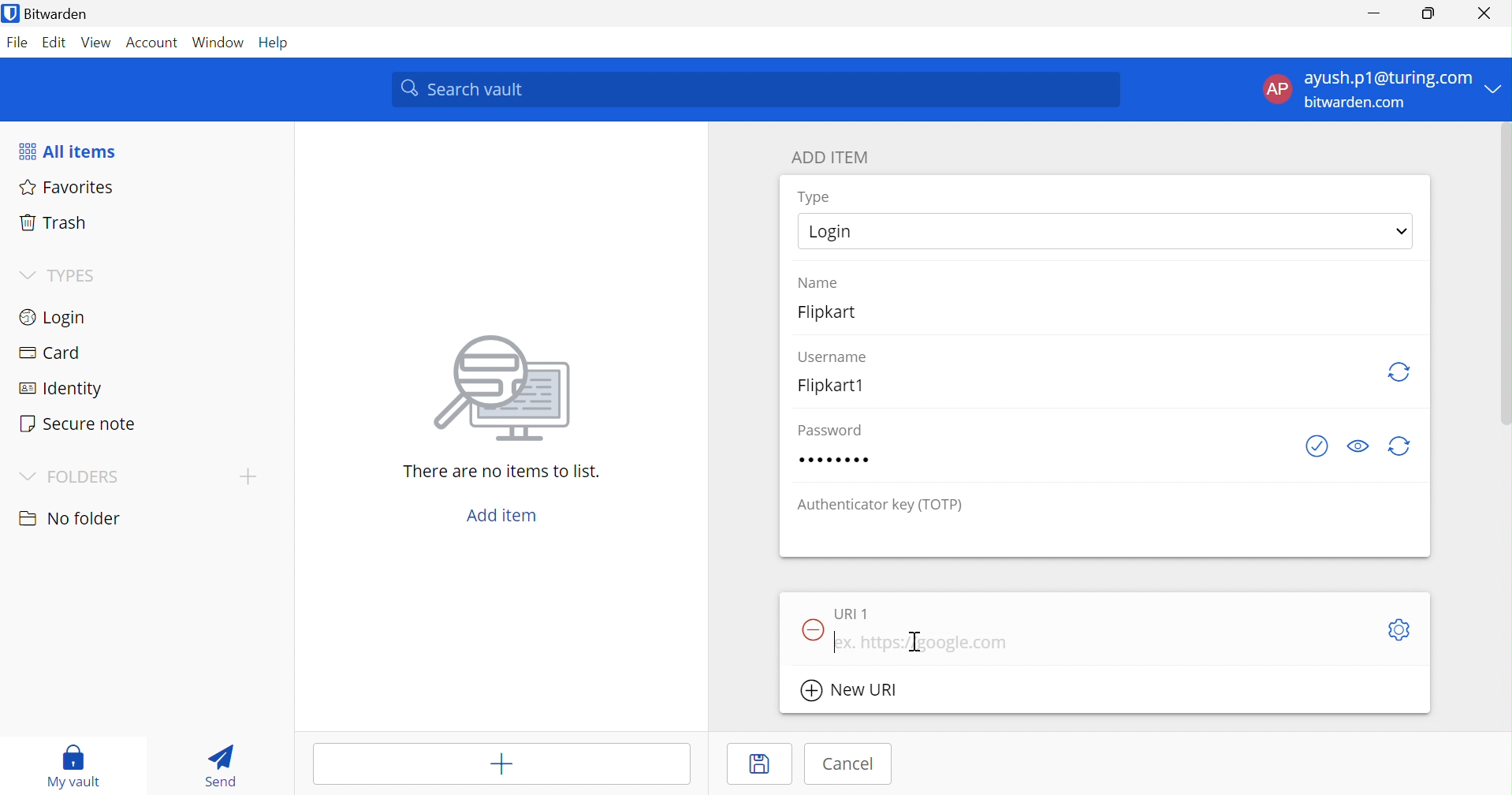  What do you see at coordinates (28, 477) in the screenshot?
I see `Drop Down` at bounding box center [28, 477].